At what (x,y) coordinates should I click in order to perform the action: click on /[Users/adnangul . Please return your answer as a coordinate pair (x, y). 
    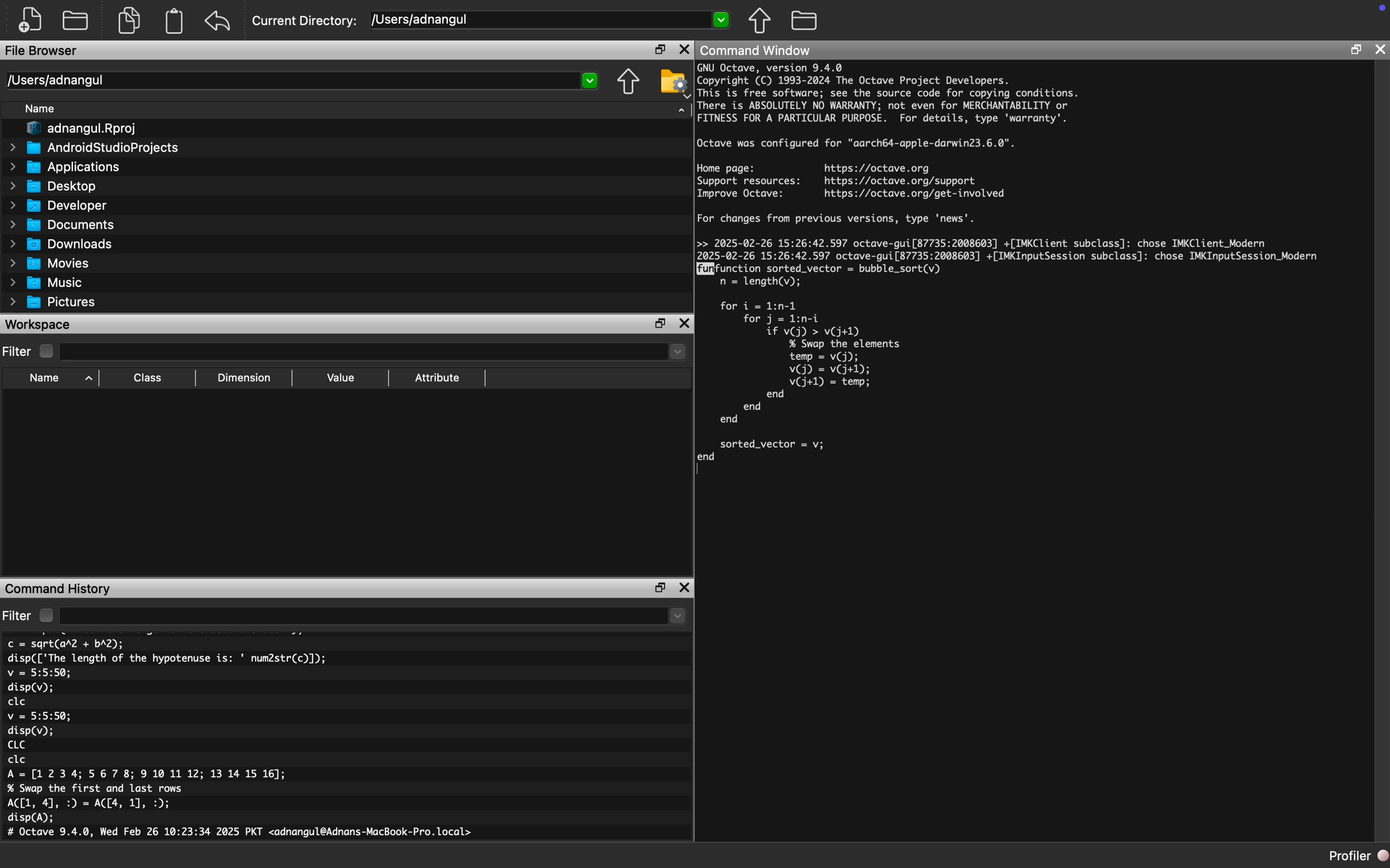
    Looking at the image, I should click on (302, 80).